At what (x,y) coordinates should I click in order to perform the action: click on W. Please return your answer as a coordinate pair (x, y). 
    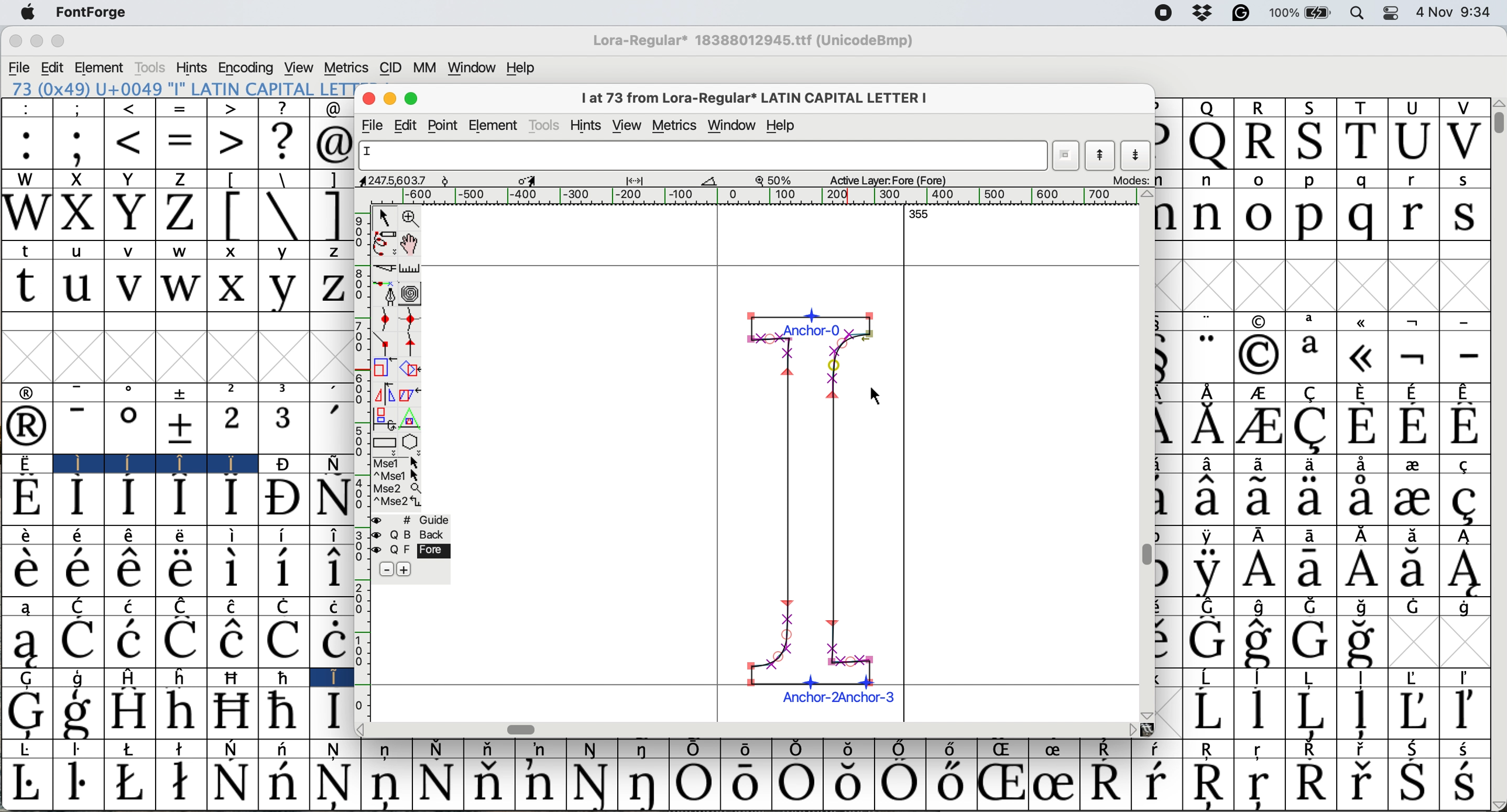
    Looking at the image, I should click on (26, 180).